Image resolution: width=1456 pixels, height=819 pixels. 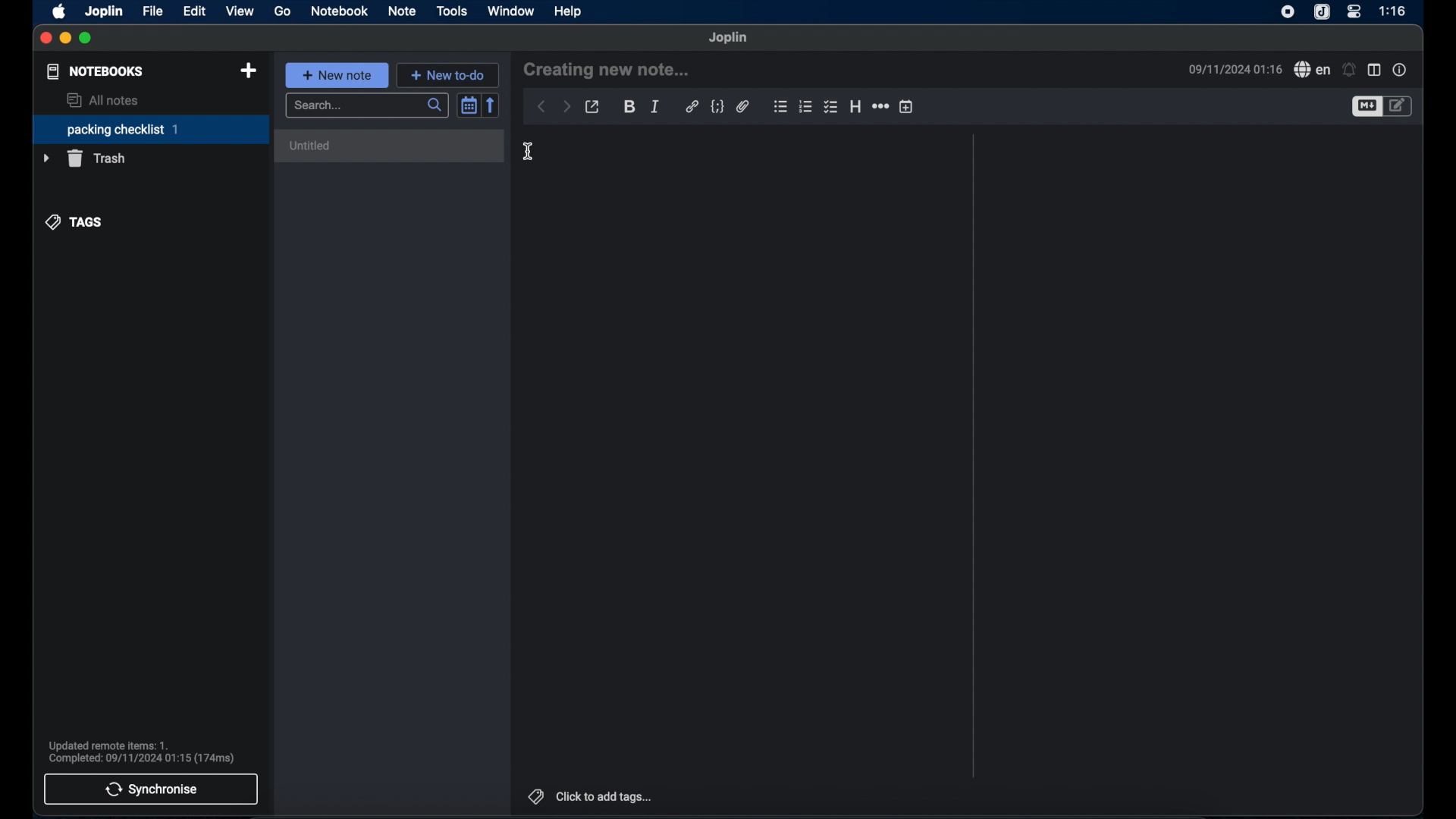 What do you see at coordinates (86, 158) in the screenshot?
I see `trash` at bounding box center [86, 158].